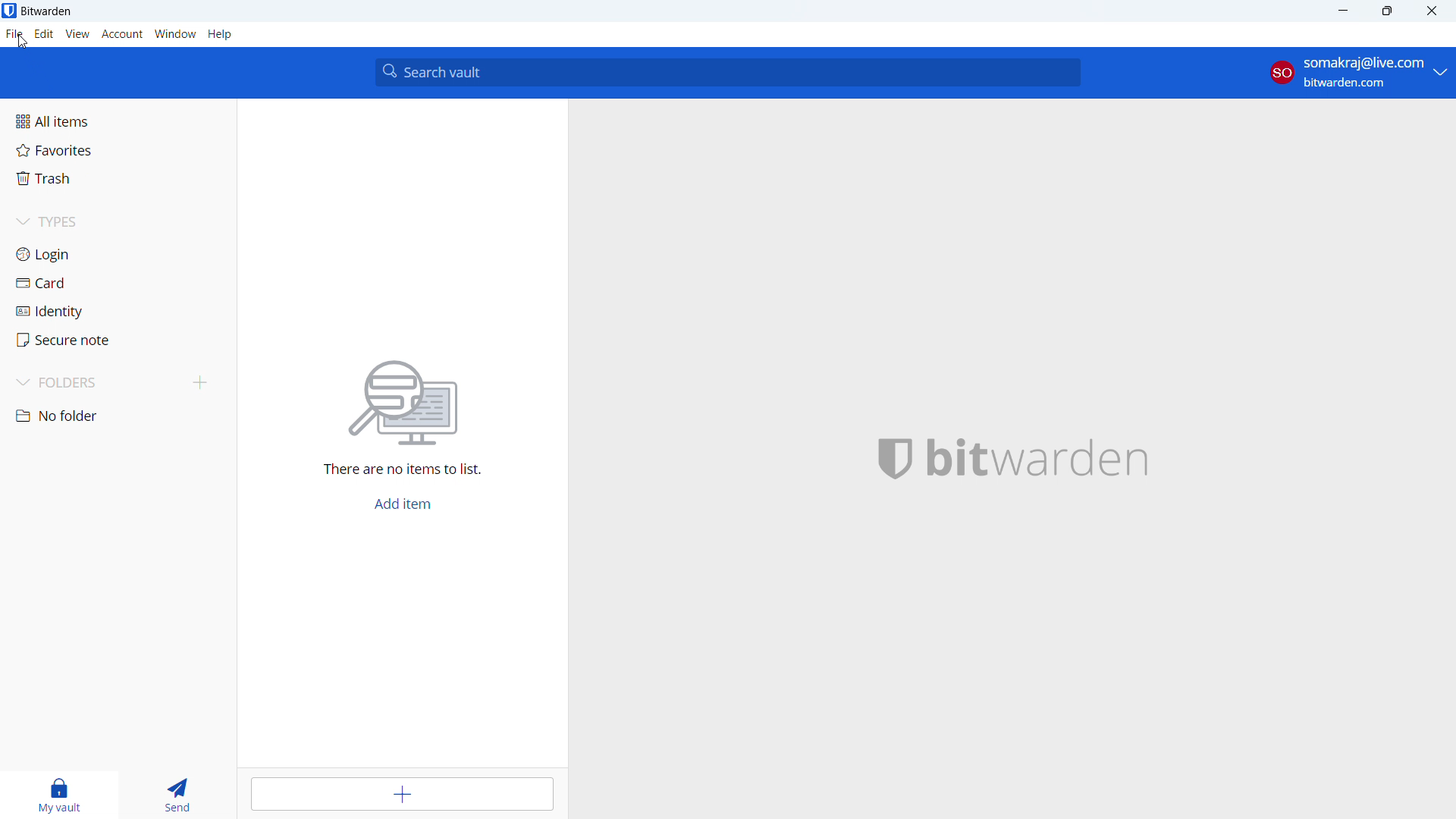 Image resolution: width=1456 pixels, height=819 pixels. What do you see at coordinates (14, 34) in the screenshot?
I see `file` at bounding box center [14, 34].